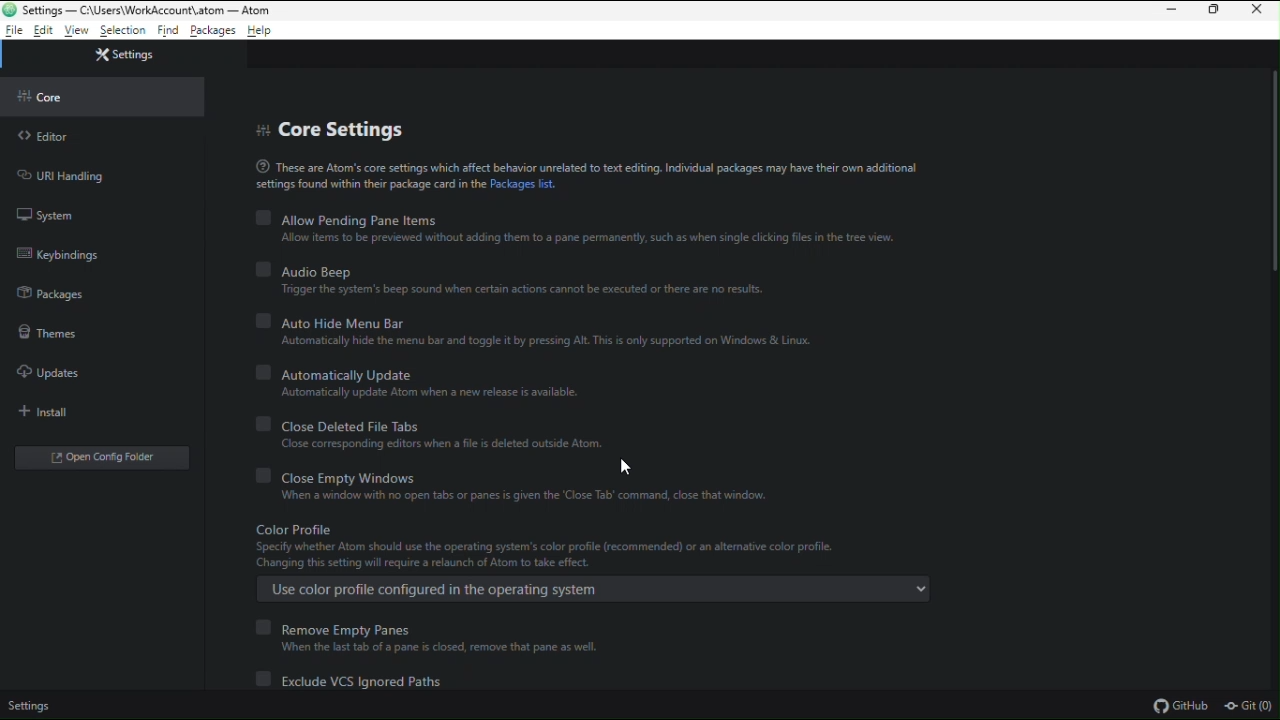 The image size is (1280, 720). What do you see at coordinates (353, 681) in the screenshot?
I see `exclude VCS  ignored parts` at bounding box center [353, 681].